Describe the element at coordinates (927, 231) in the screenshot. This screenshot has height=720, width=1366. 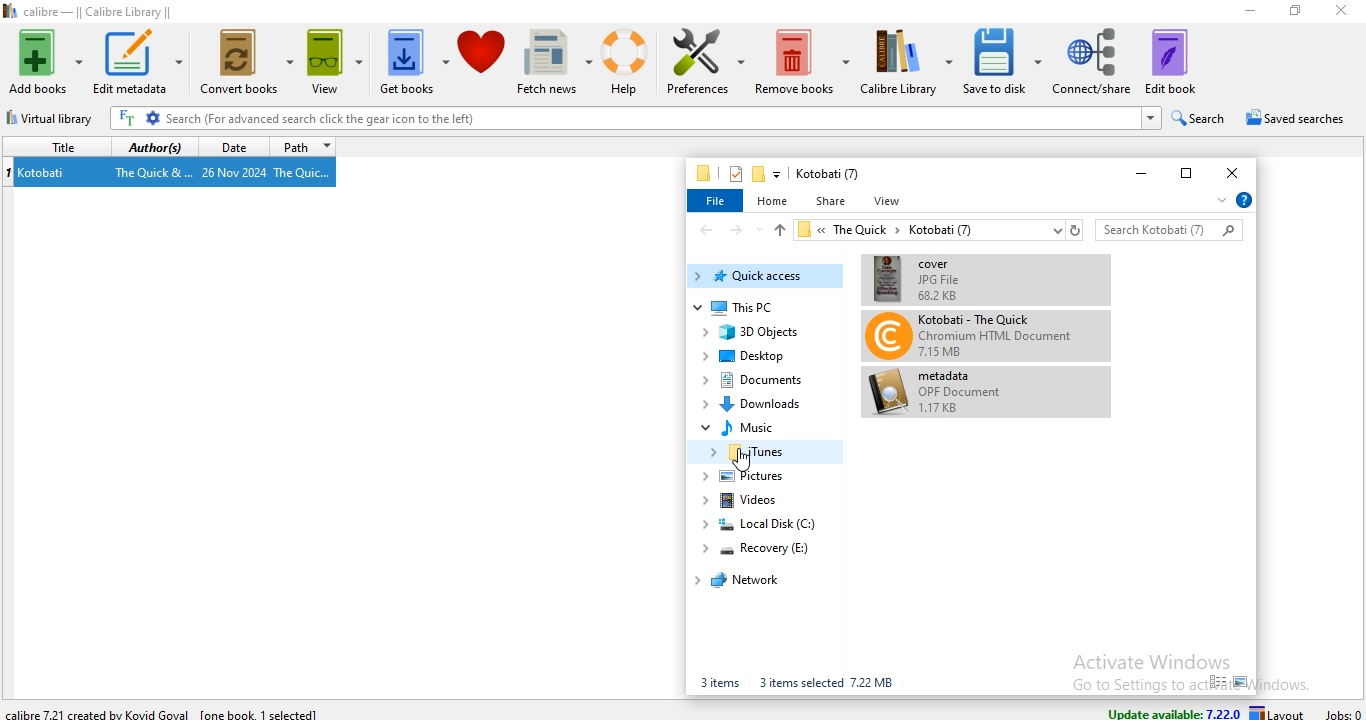
I see `« TheQuick > Kotobati (7)` at that location.